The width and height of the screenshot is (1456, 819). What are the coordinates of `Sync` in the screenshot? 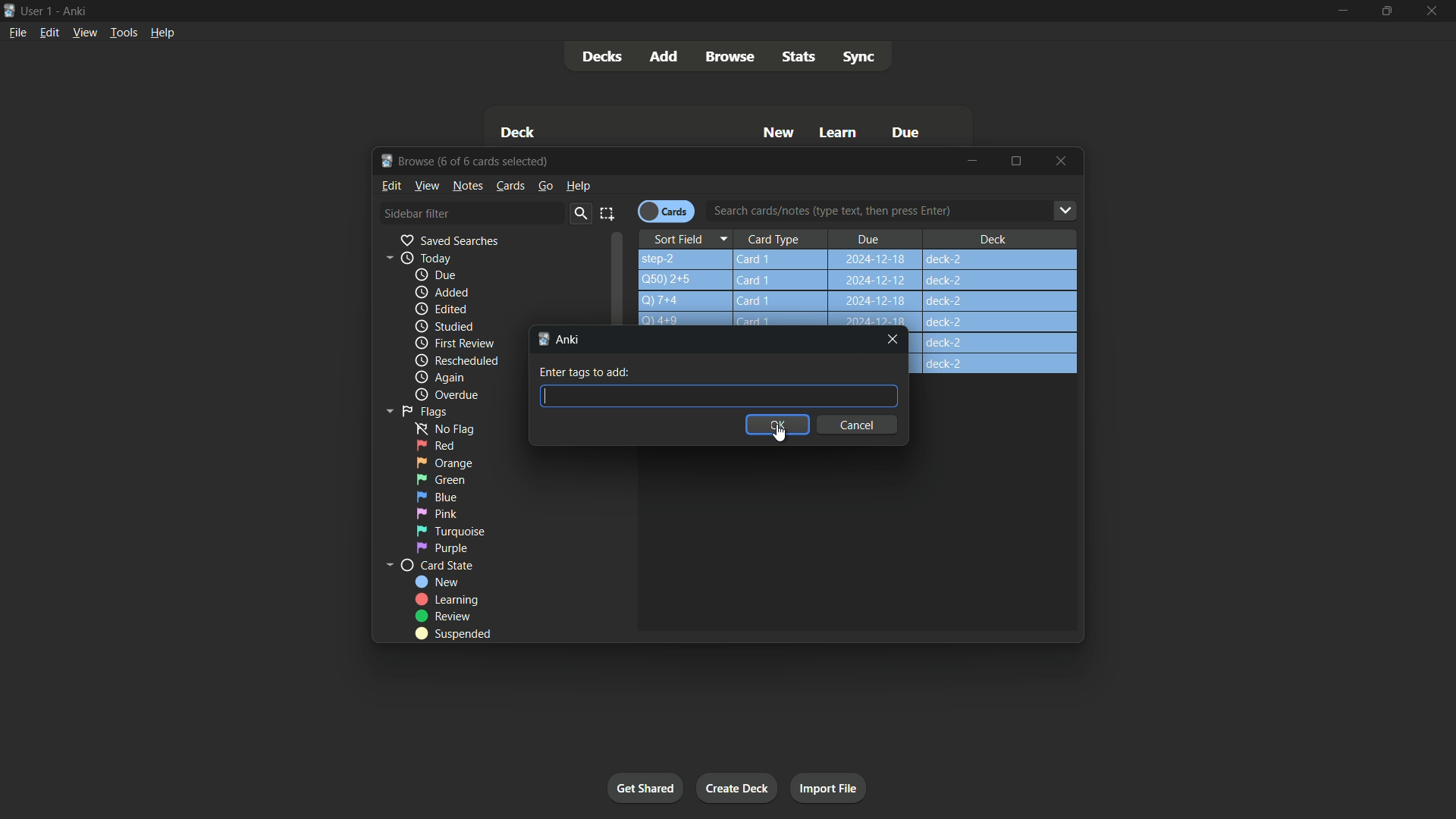 It's located at (858, 57).